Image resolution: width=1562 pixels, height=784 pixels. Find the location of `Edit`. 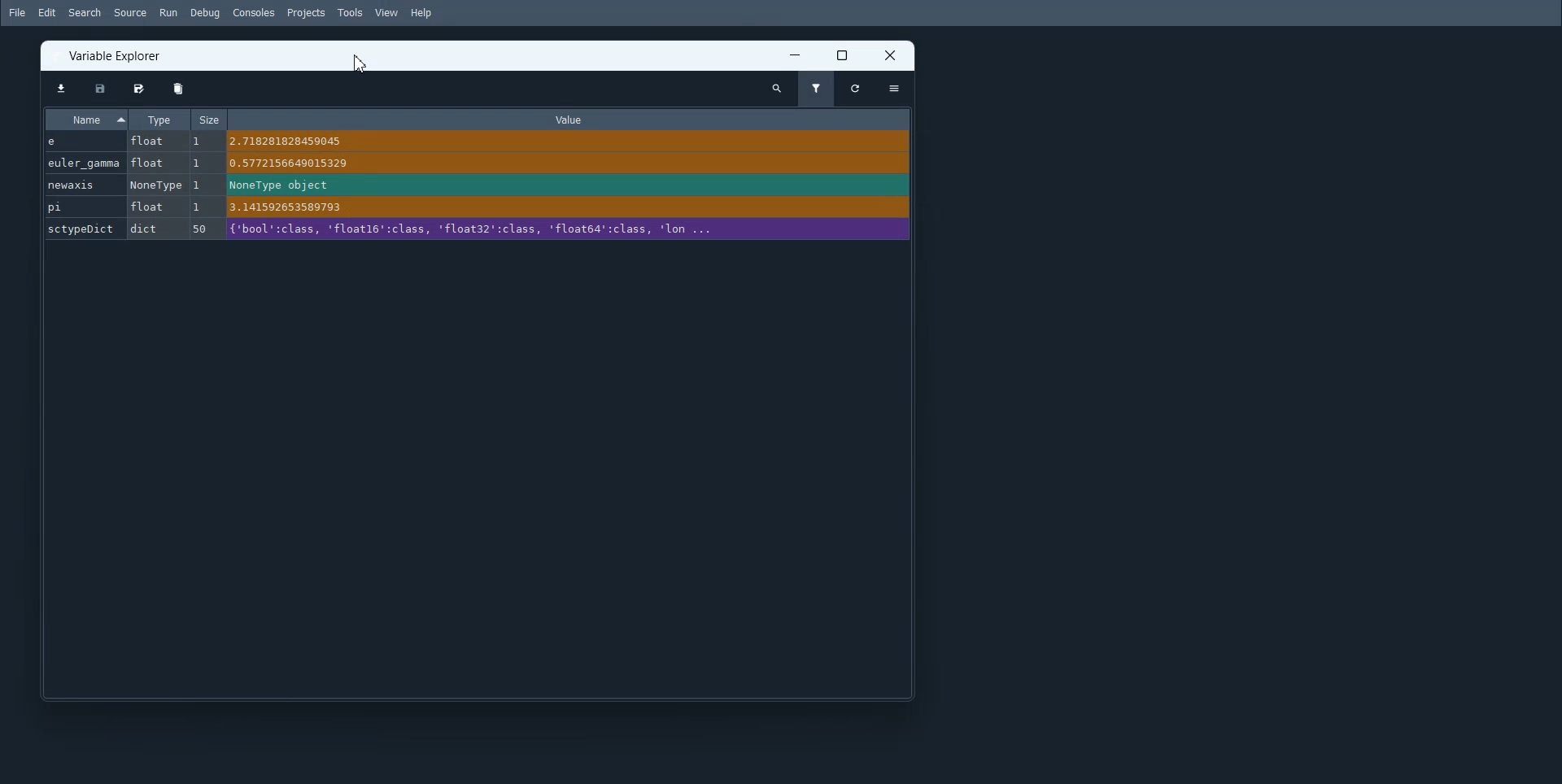

Edit is located at coordinates (47, 12).